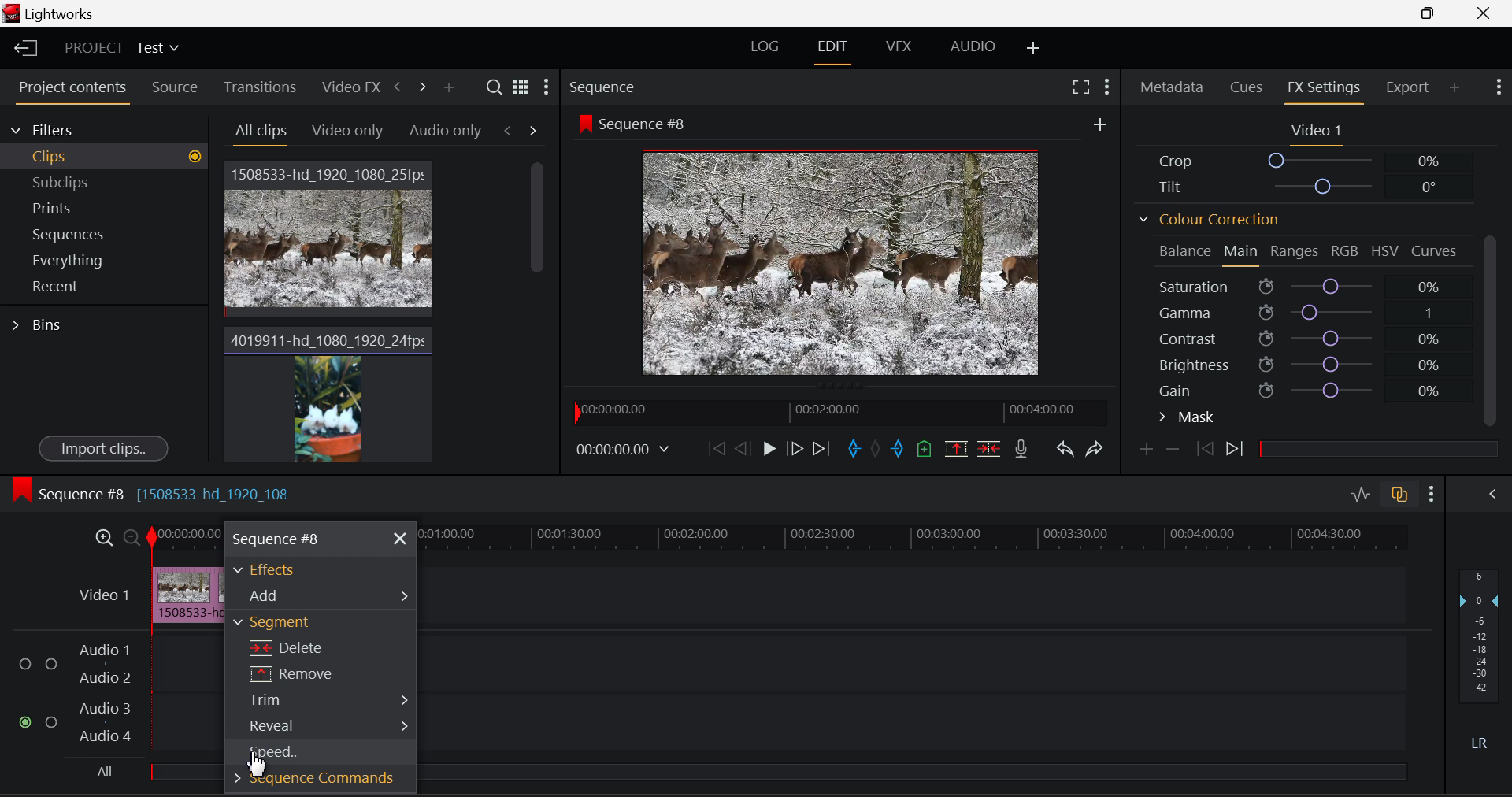 This screenshot has height=797, width=1512. I want to click on Trim, so click(321, 702).